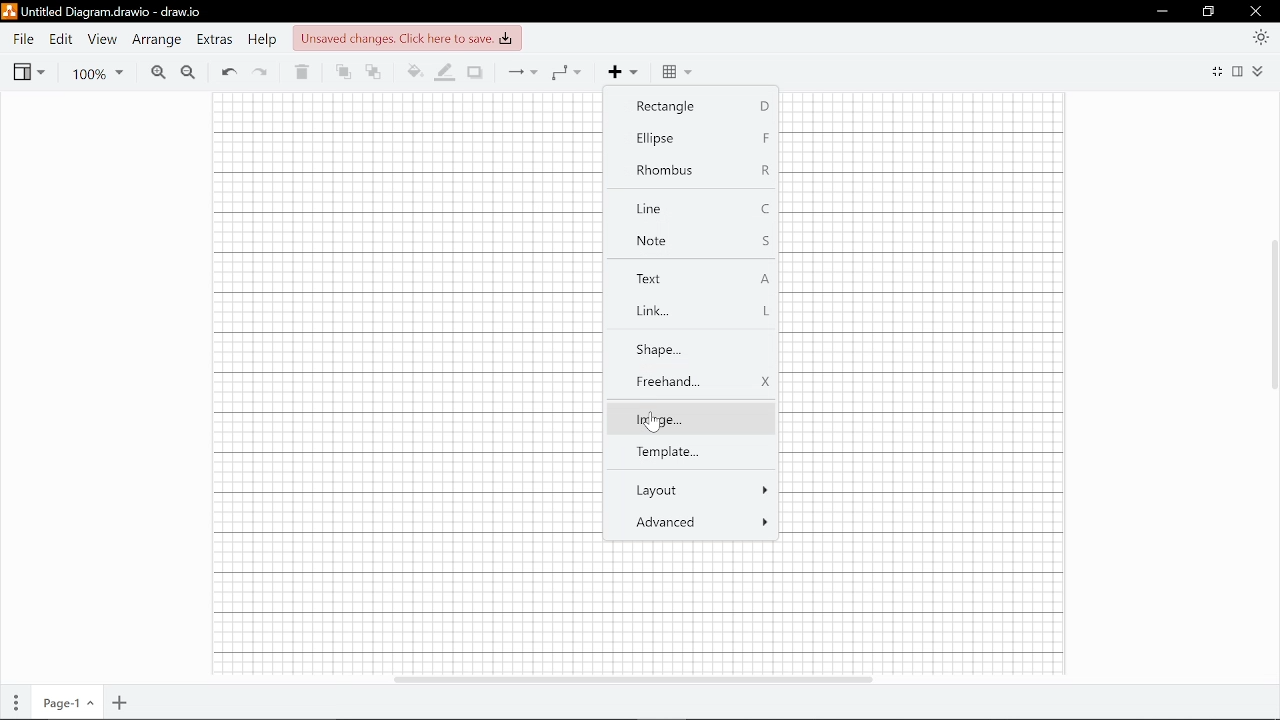 This screenshot has width=1280, height=720. What do you see at coordinates (694, 137) in the screenshot?
I see `Ellipse` at bounding box center [694, 137].